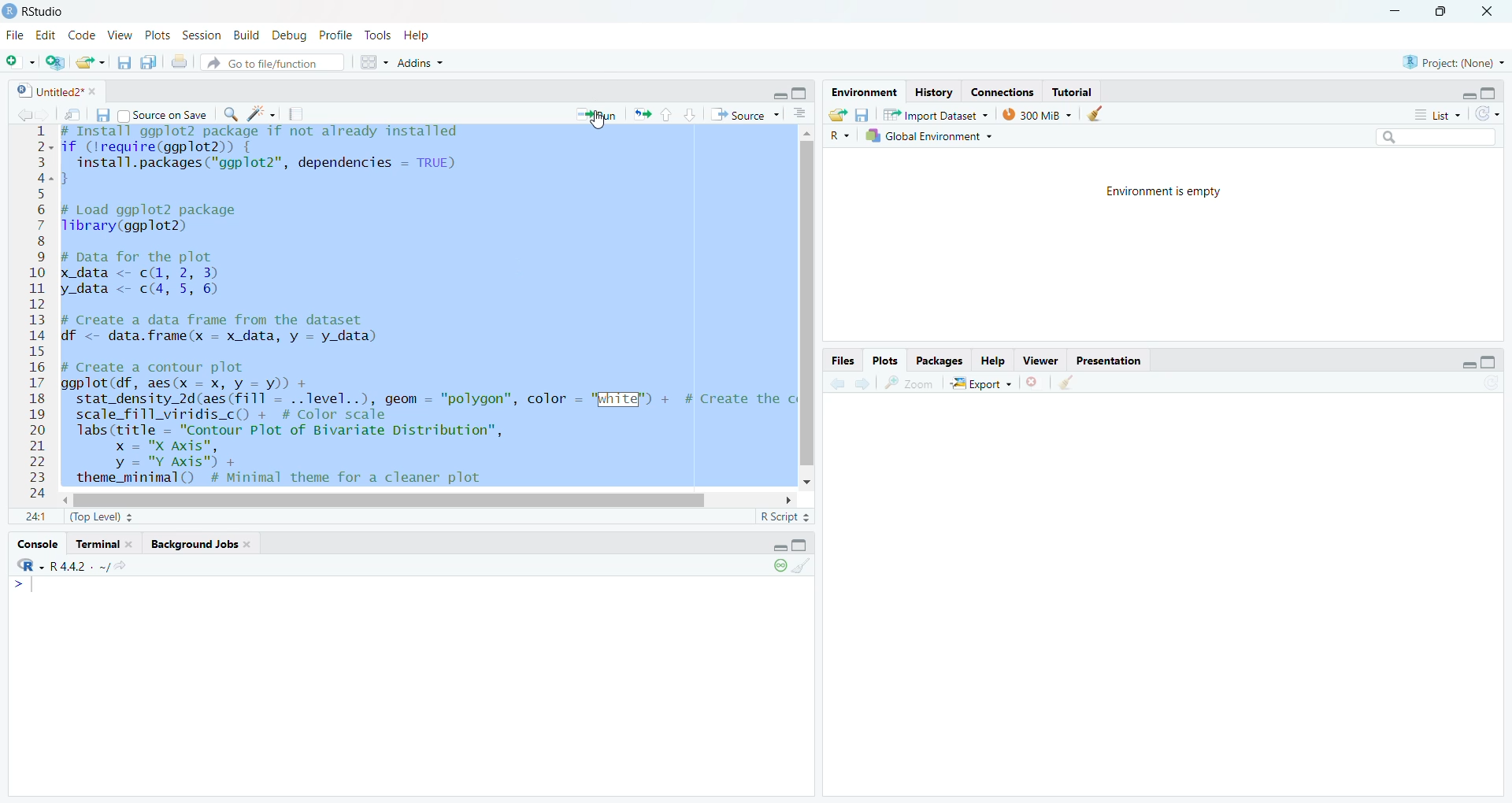 This screenshot has height=803, width=1512. Describe the element at coordinates (290, 37) in the screenshot. I see `Debug` at that location.